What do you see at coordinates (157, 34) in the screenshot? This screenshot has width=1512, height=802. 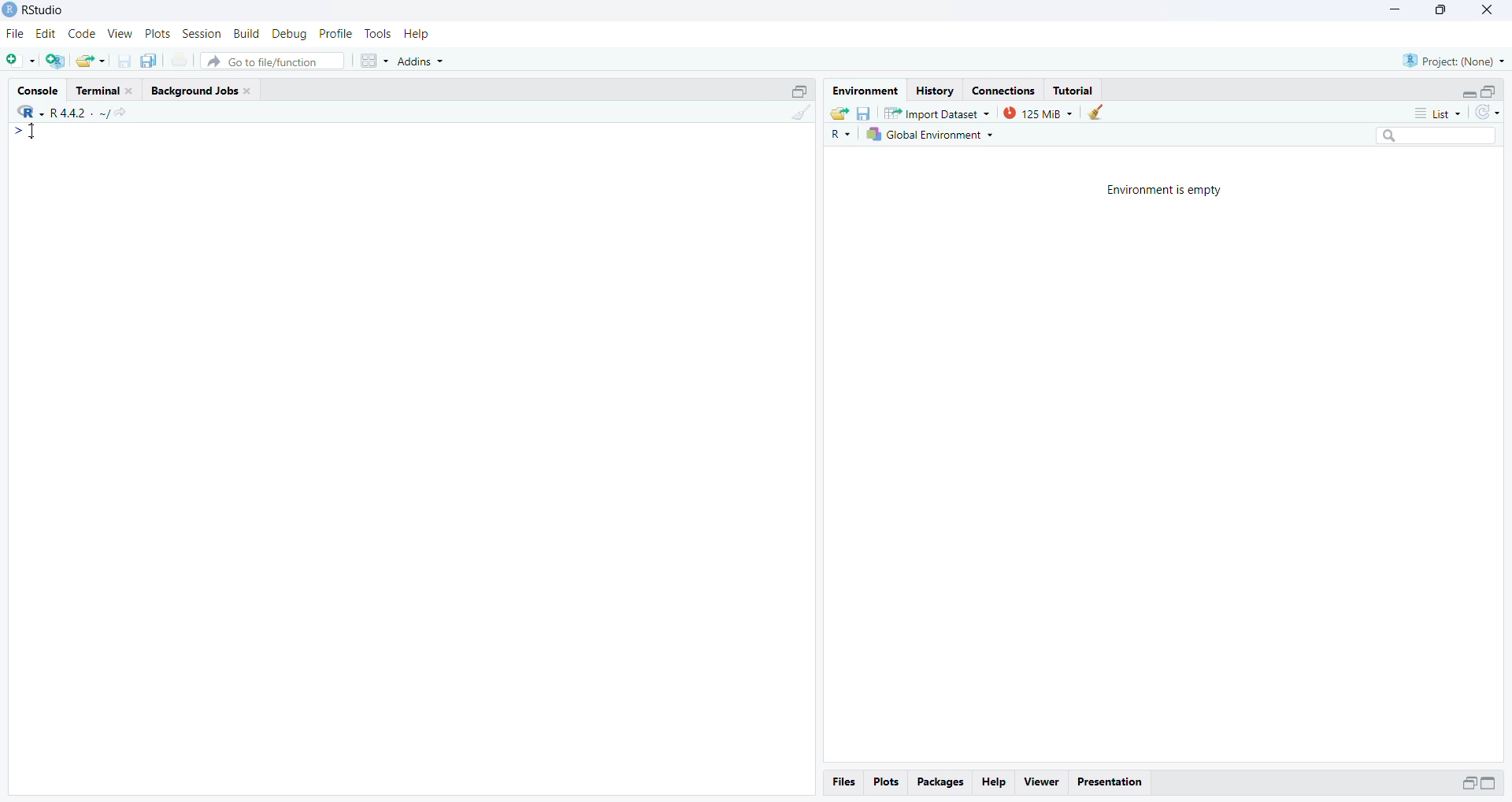 I see `Plots` at bounding box center [157, 34].